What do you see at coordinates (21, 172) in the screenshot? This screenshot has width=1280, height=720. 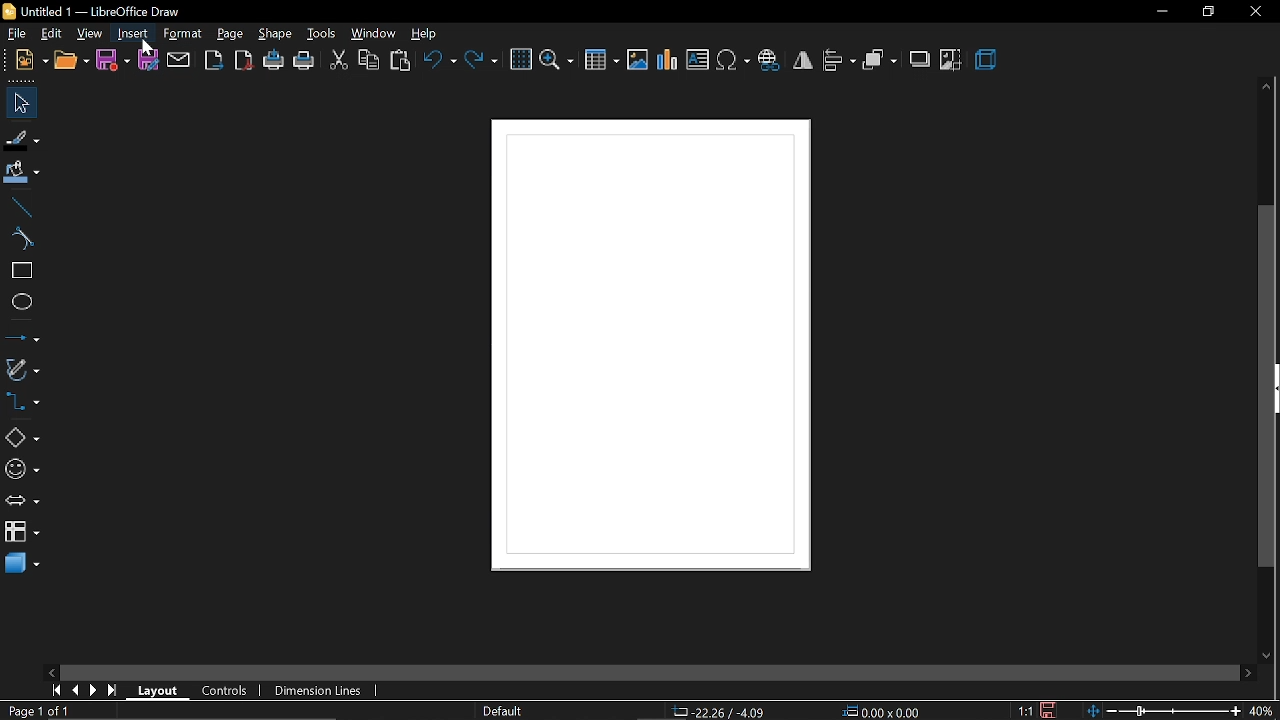 I see `fill color` at bounding box center [21, 172].